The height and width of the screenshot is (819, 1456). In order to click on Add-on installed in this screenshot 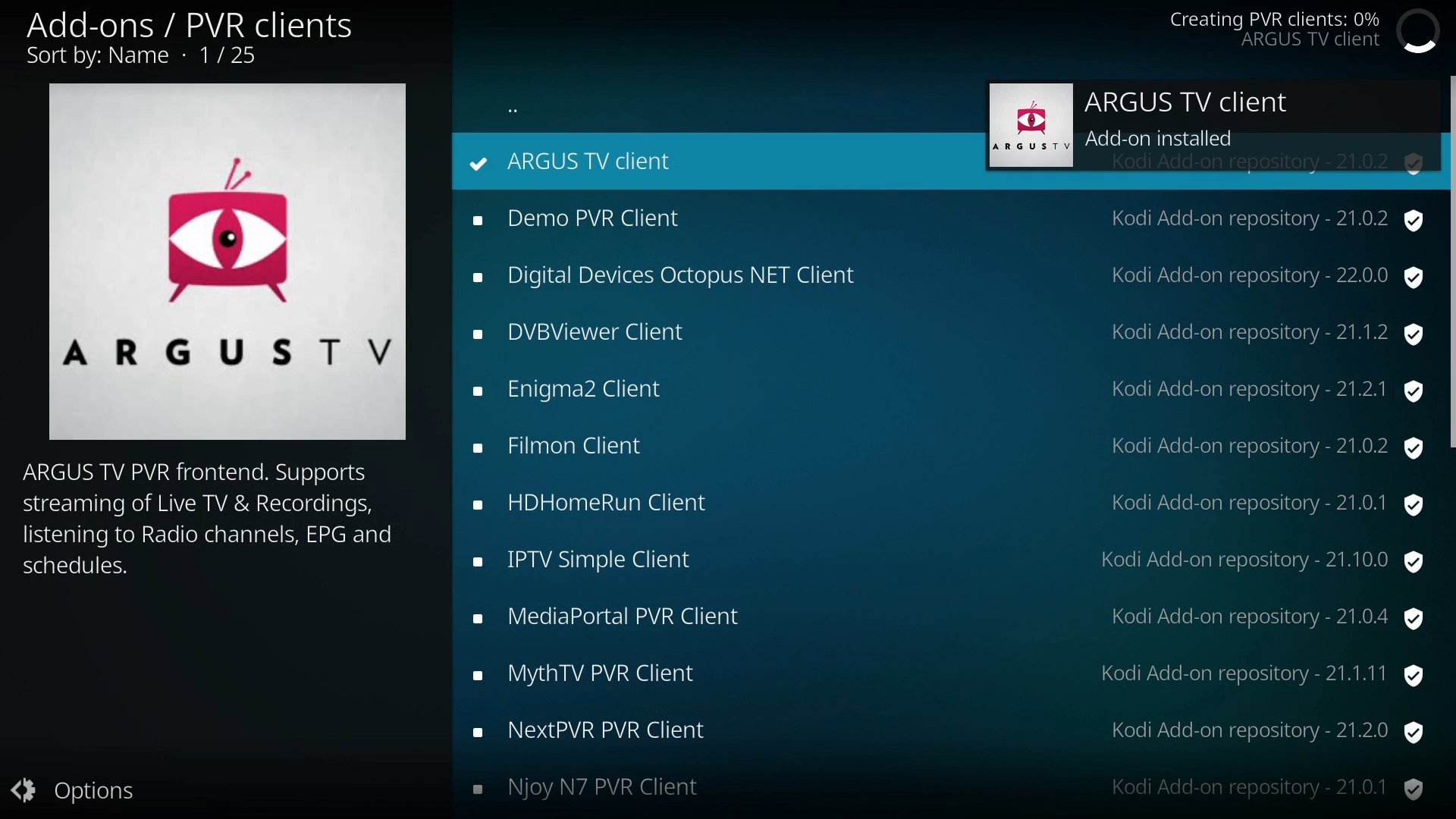, I will do `click(1171, 140)`.